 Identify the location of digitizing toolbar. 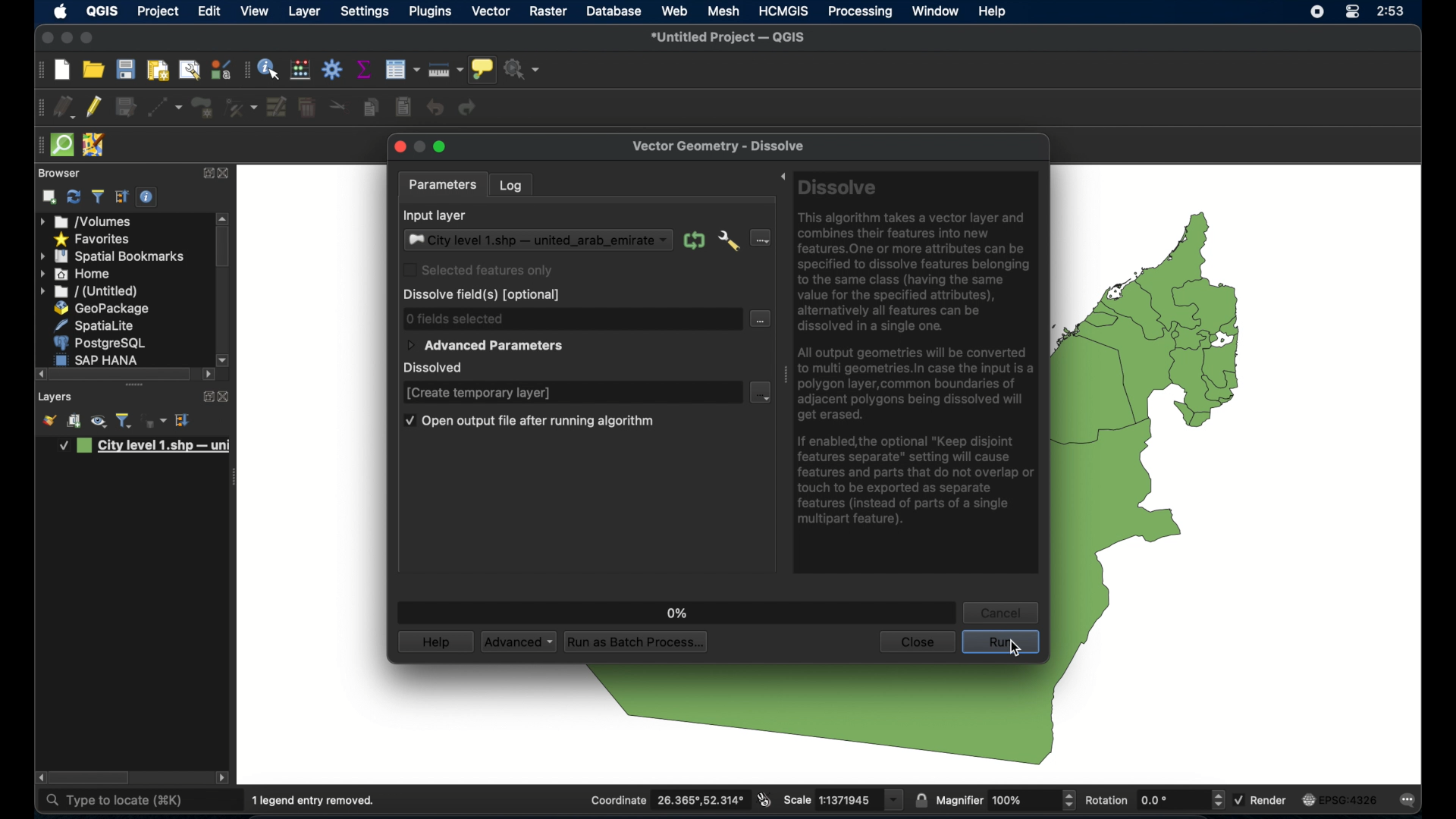
(41, 108).